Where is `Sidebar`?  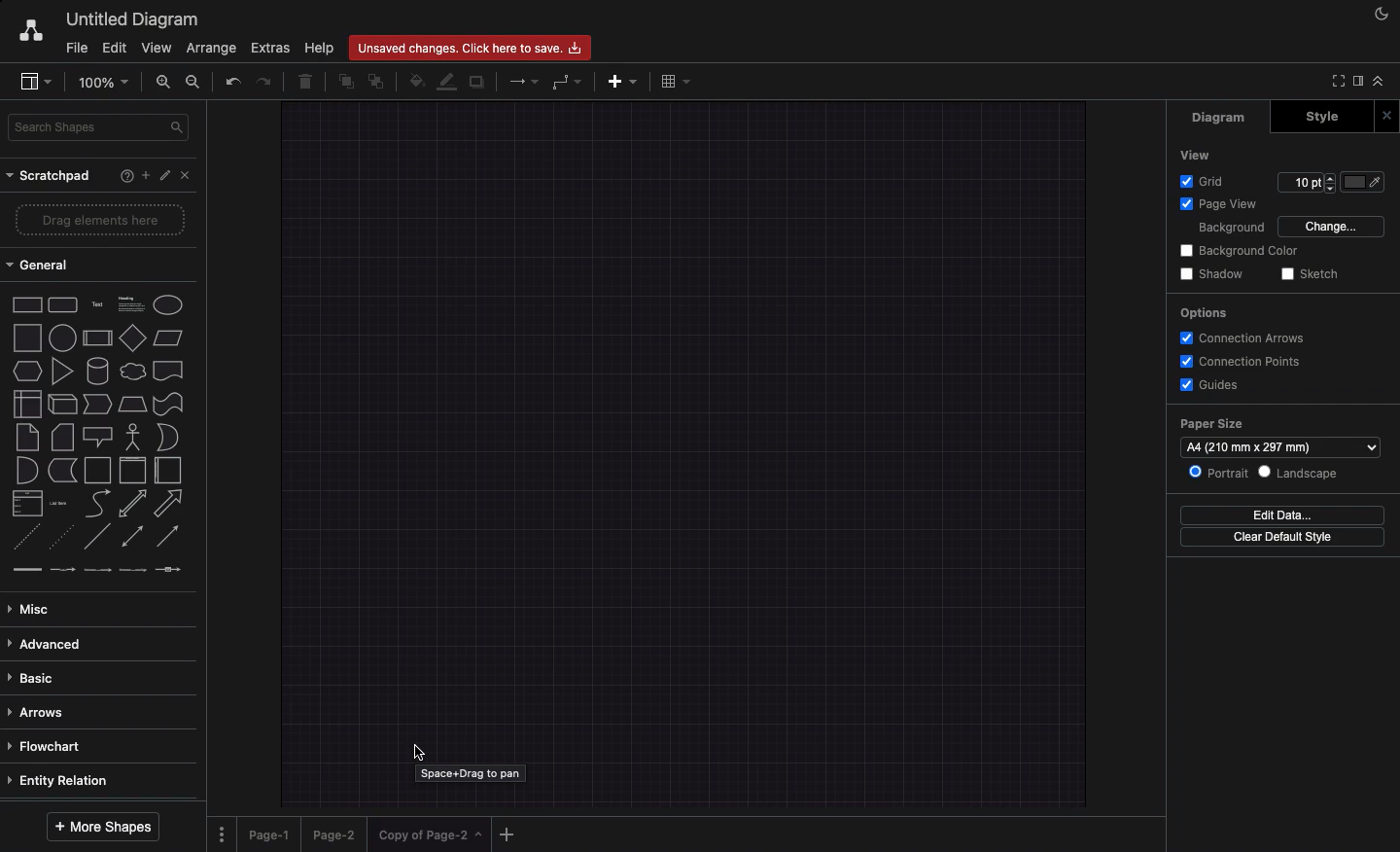
Sidebar is located at coordinates (1356, 81).